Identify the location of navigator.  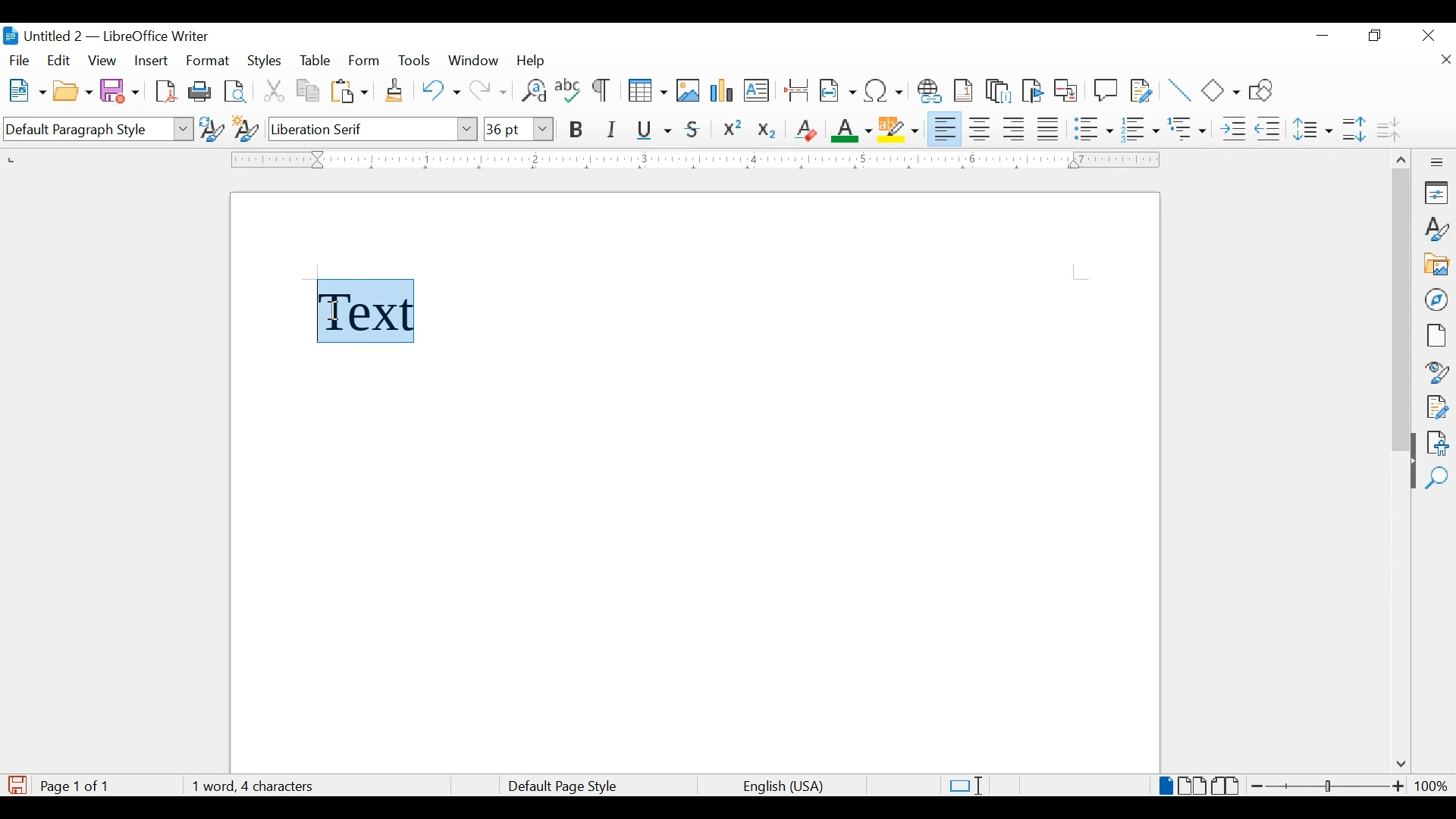
(1438, 300).